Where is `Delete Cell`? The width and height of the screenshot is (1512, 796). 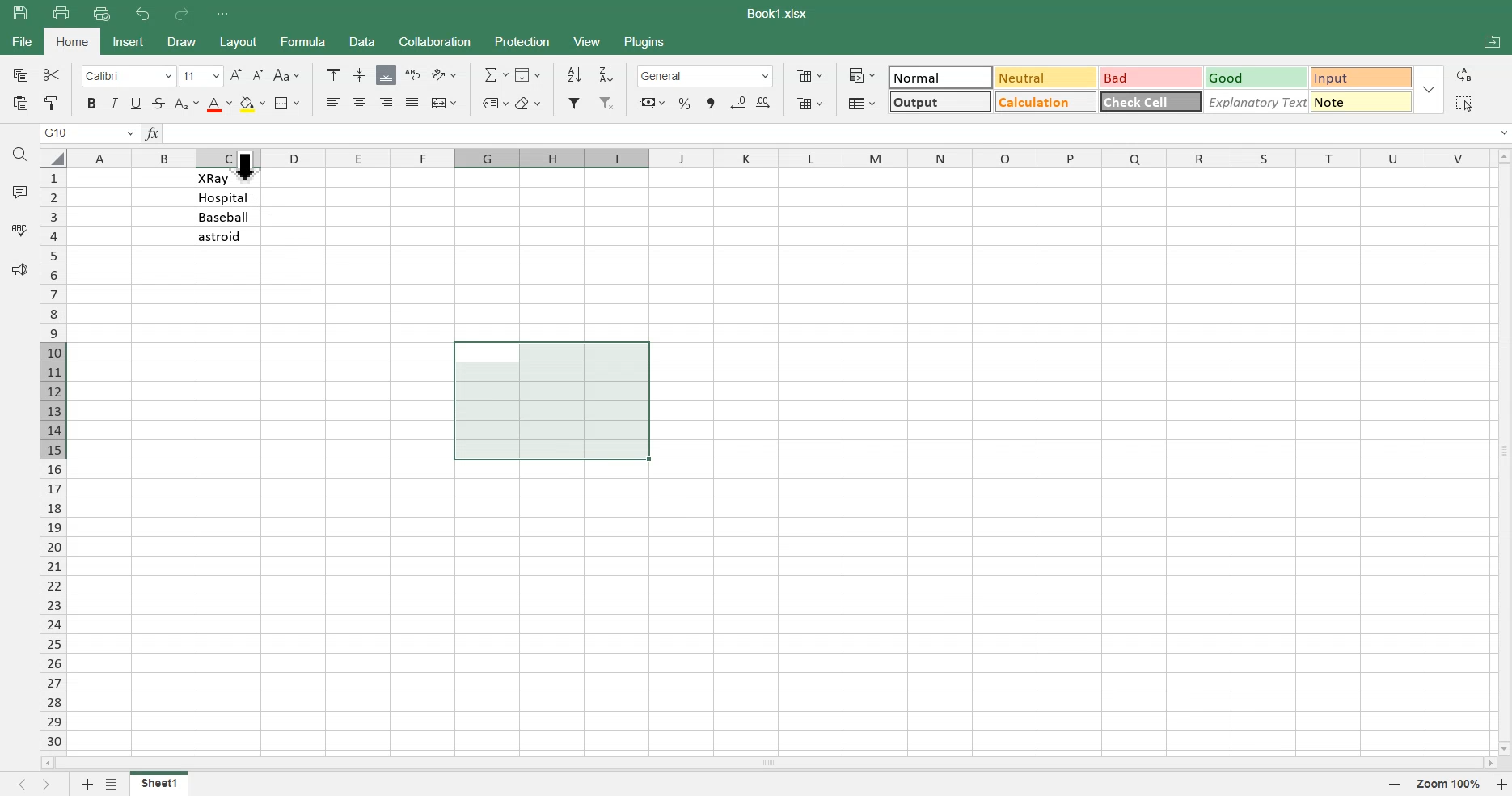 Delete Cell is located at coordinates (809, 103).